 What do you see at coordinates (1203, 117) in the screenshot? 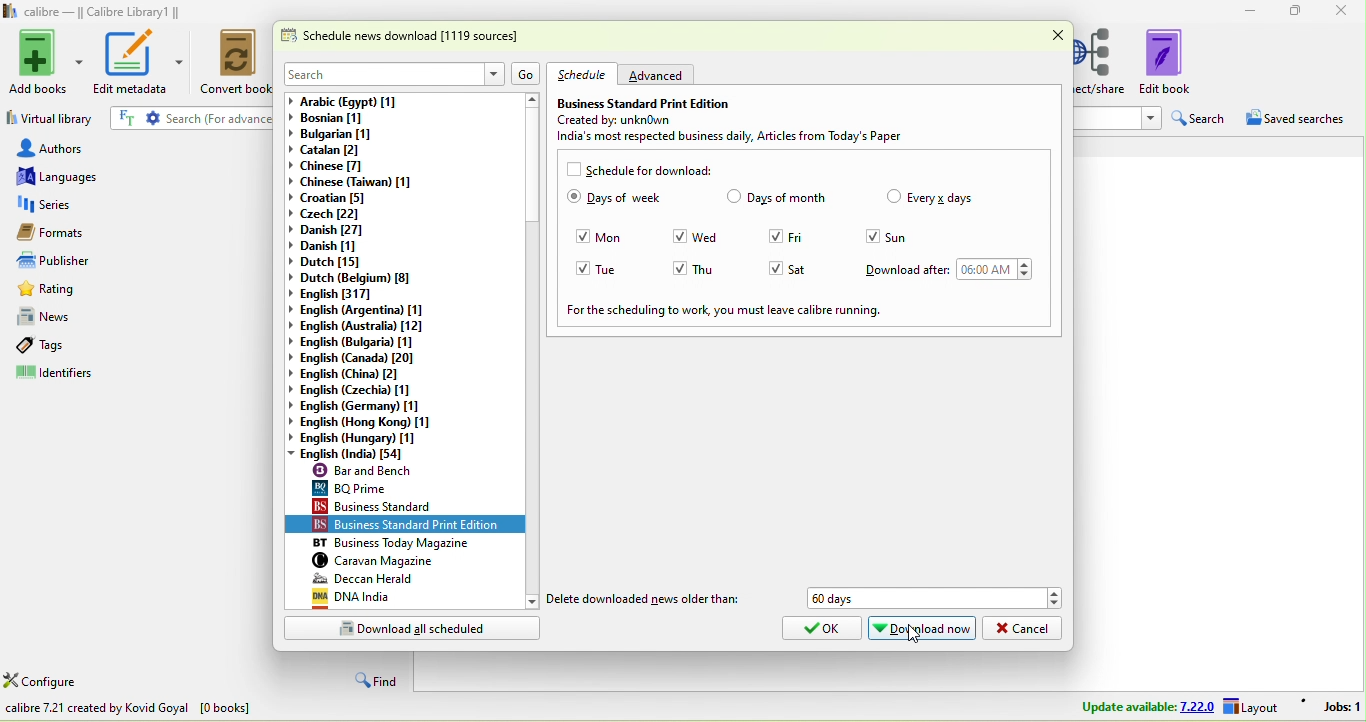
I see `search` at bounding box center [1203, 117].